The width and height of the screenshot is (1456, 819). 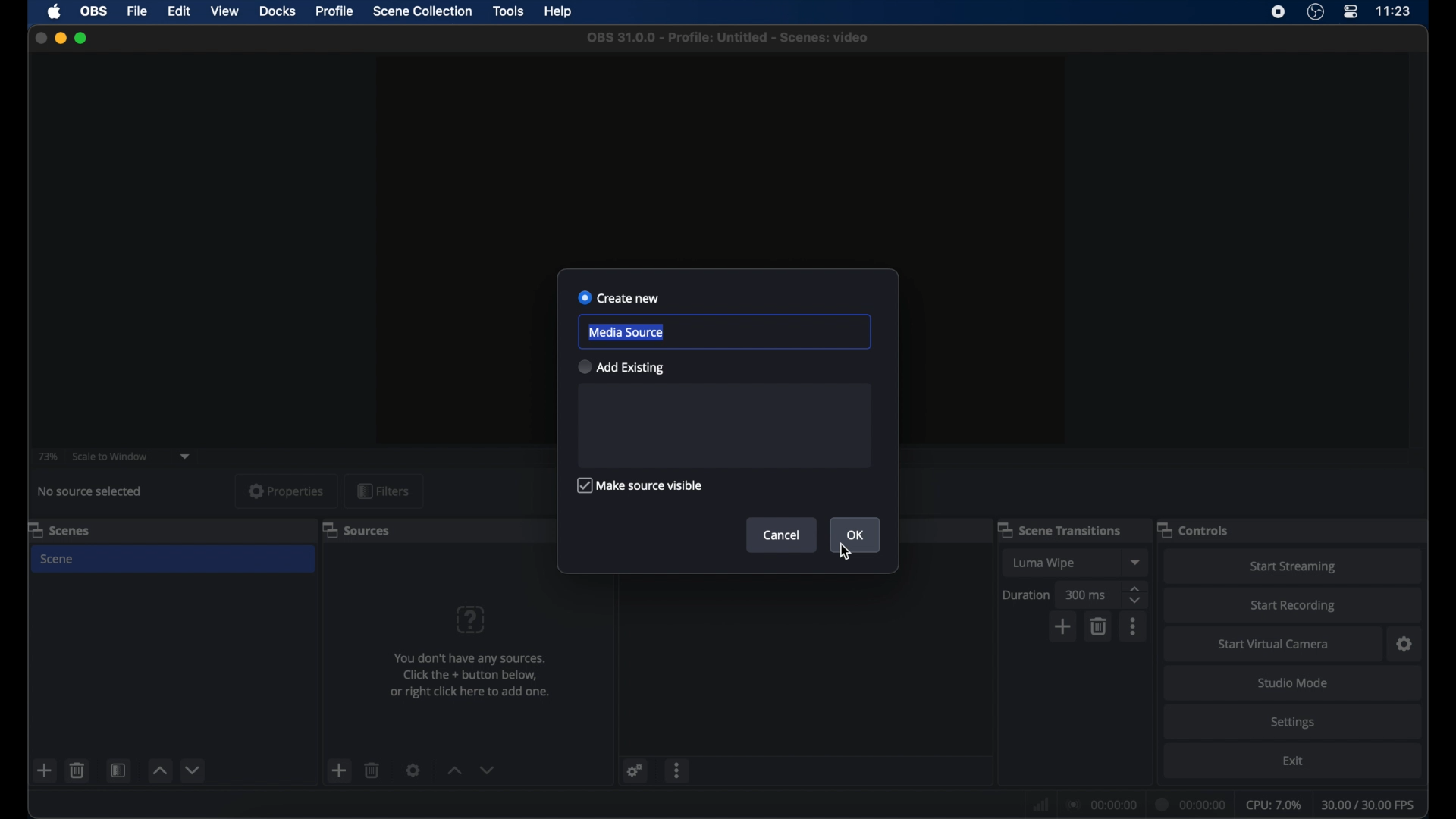 What do you see at coordinates (488, 770) in the screenshot?
I see `decrement` at bounding box center [488, 770].